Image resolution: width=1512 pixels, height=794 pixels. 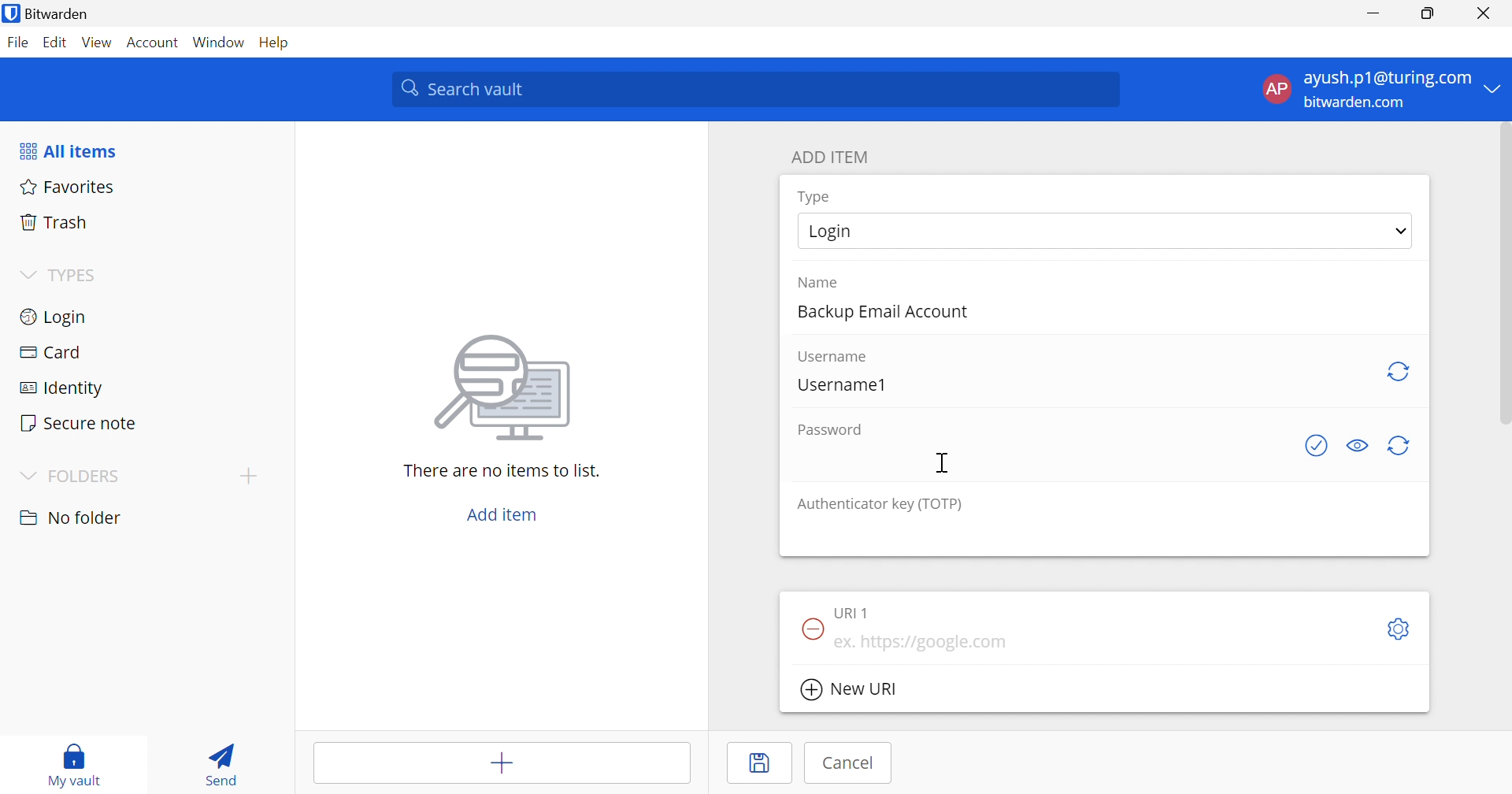 I want to click on ADD ITEM, so click(x=830, y=158).